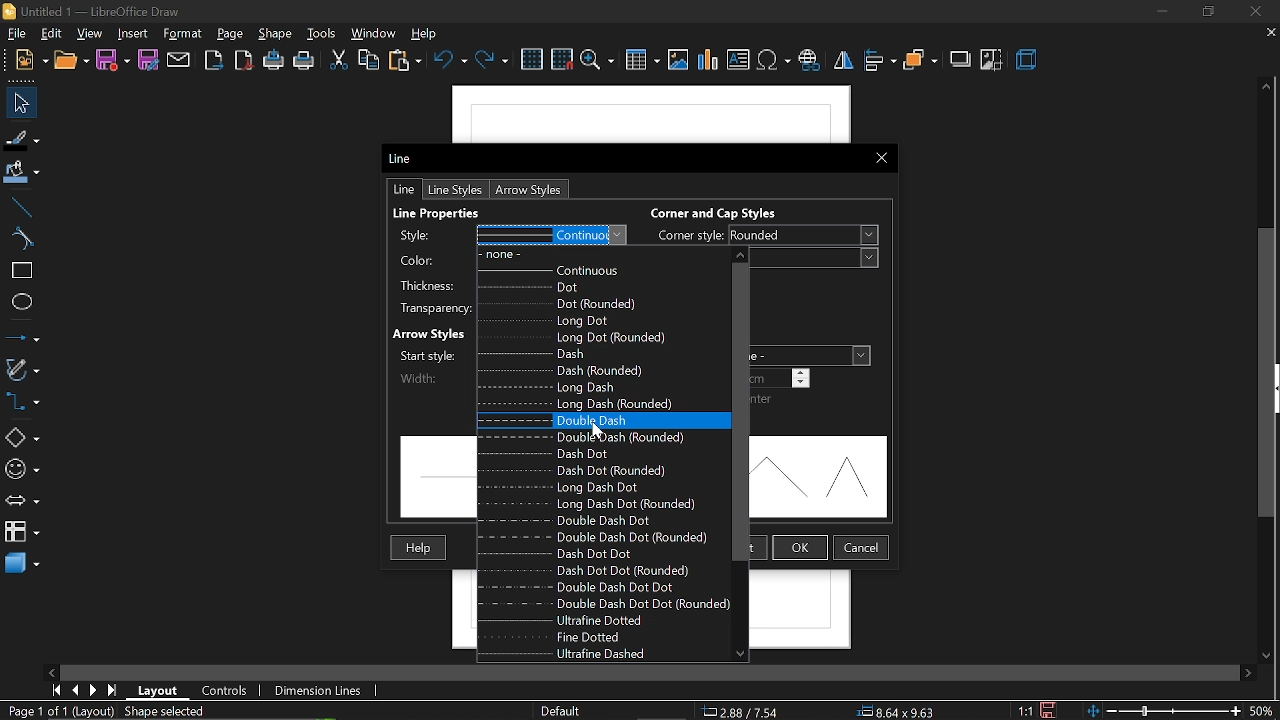 This screenshot has width=1280, height=720. I want to click on end width, so click(784, 377).